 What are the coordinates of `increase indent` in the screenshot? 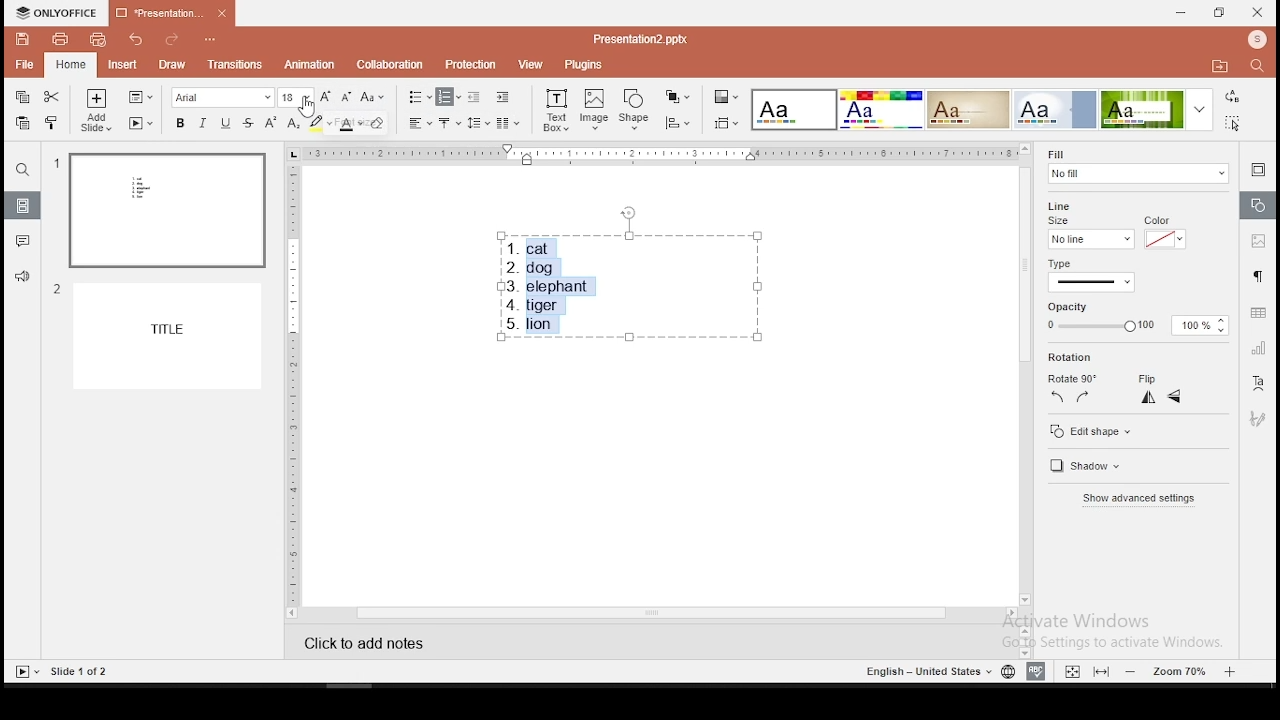 It's located at (504, 98).